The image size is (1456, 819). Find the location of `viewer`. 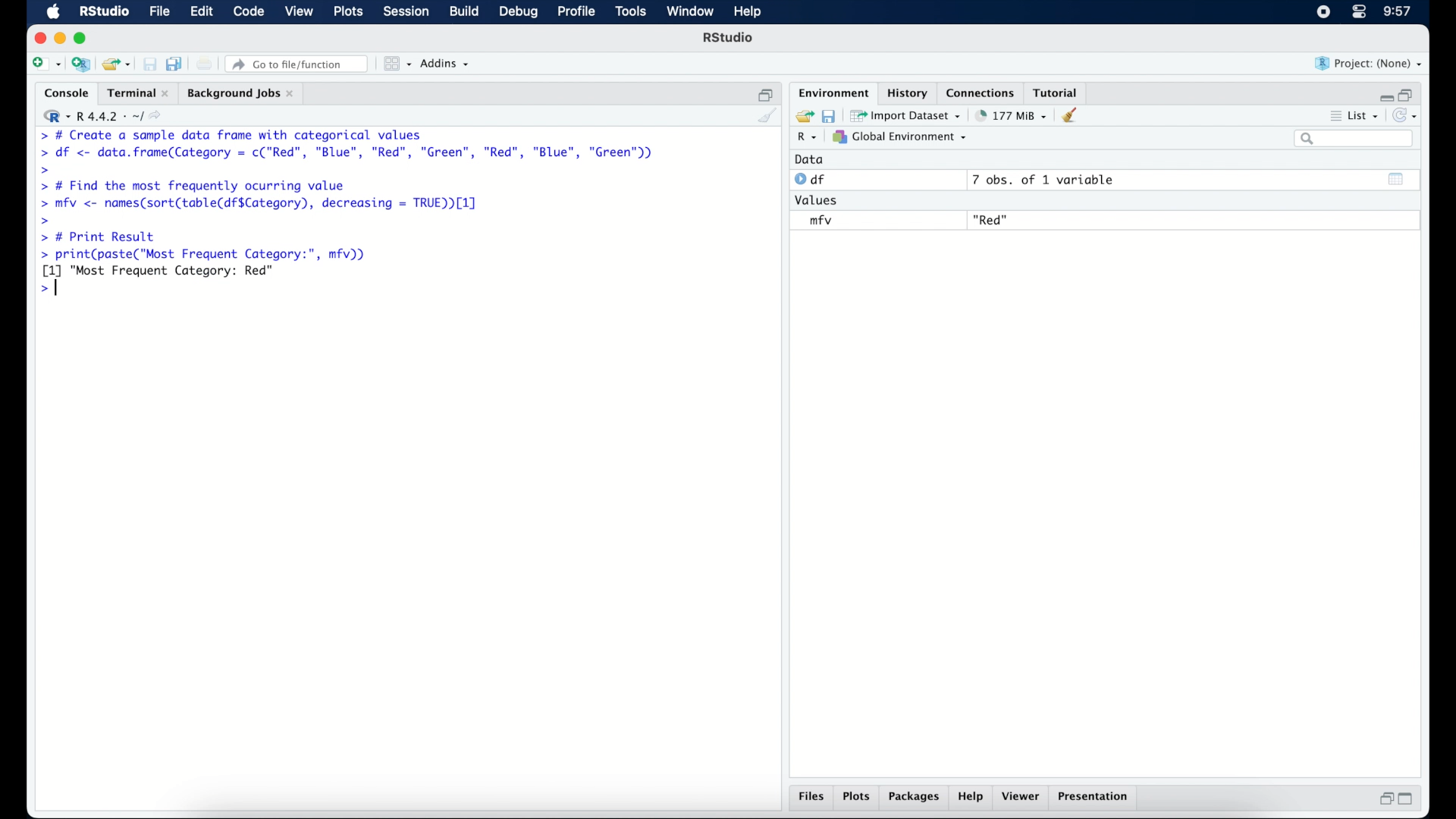

viewer is located at coordinates (1022, 798).